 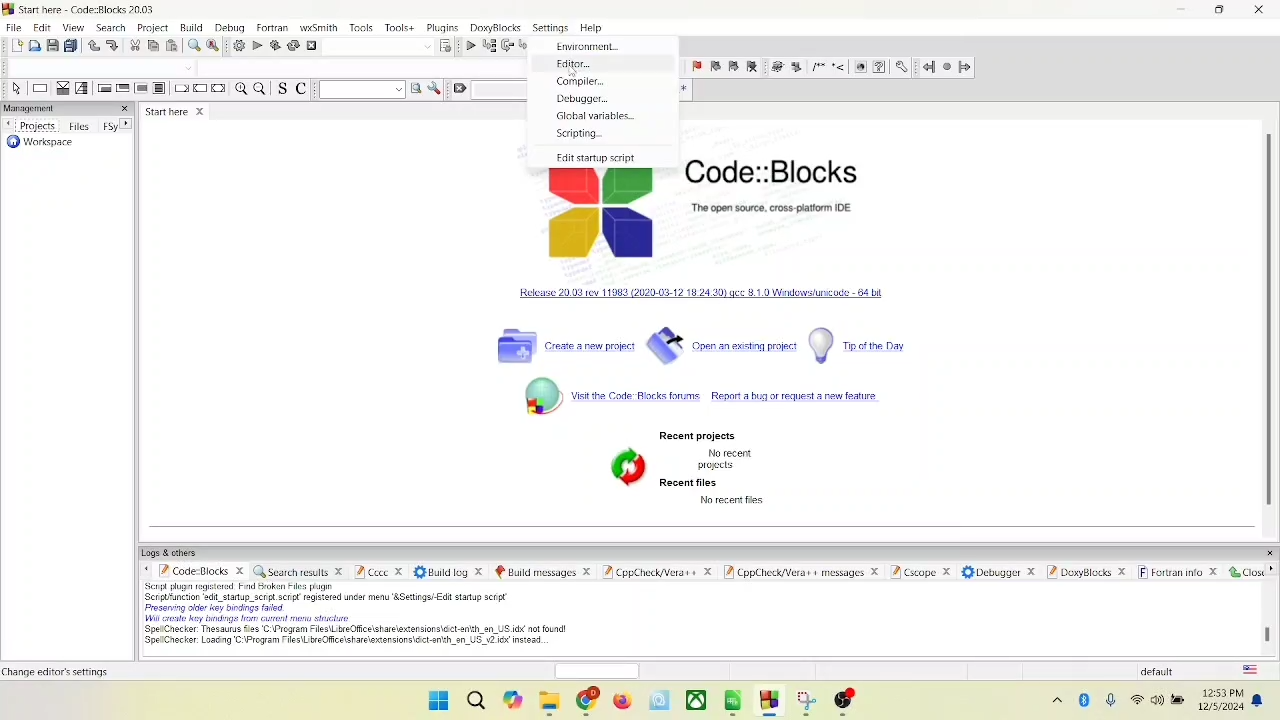 I want to click on search, so click(x=110, y=27).